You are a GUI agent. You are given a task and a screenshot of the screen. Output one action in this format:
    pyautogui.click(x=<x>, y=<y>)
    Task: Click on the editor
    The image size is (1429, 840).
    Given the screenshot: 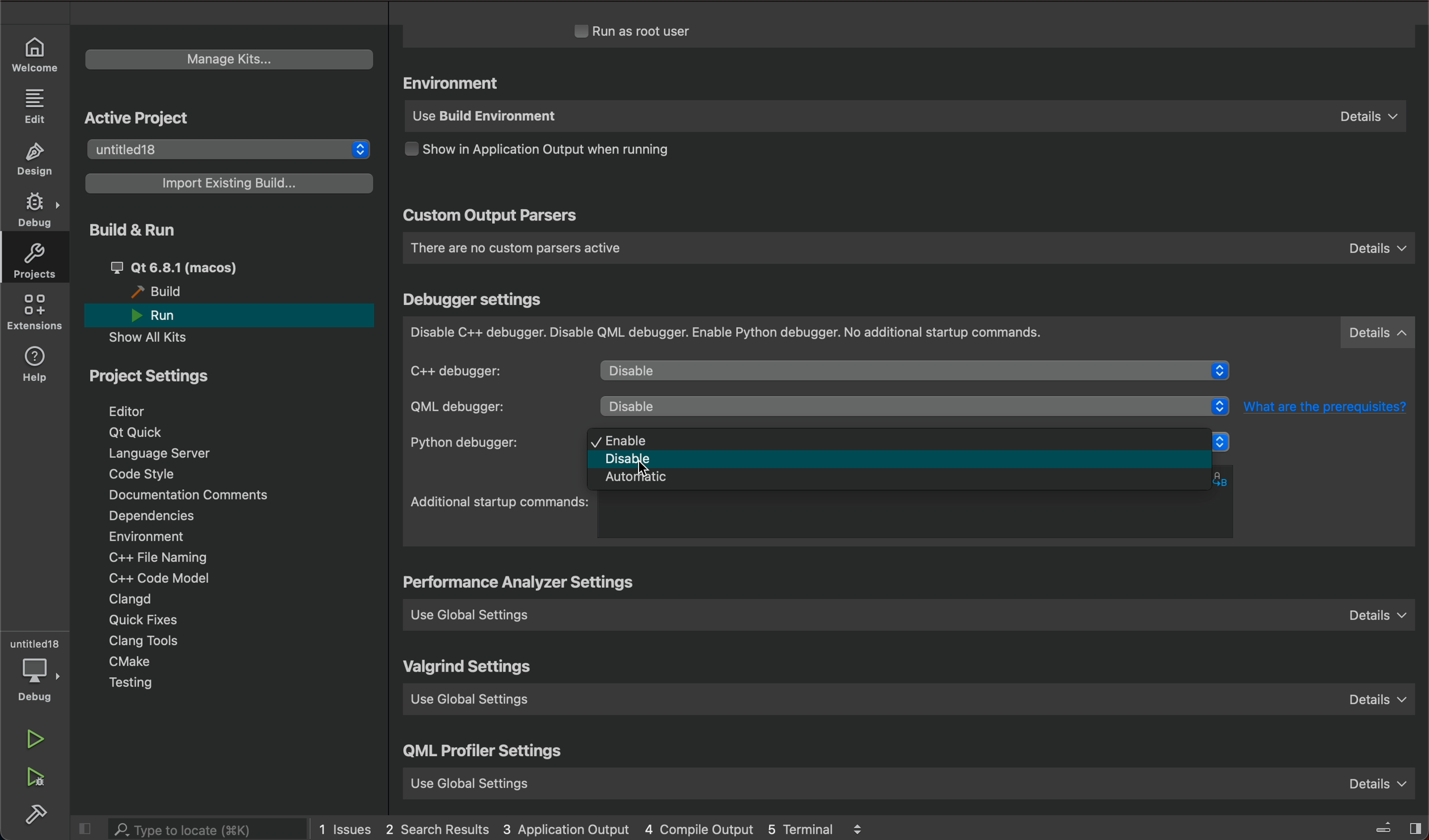 What is the action you would take?
    pyautogui.click(x=130, y=411)
    